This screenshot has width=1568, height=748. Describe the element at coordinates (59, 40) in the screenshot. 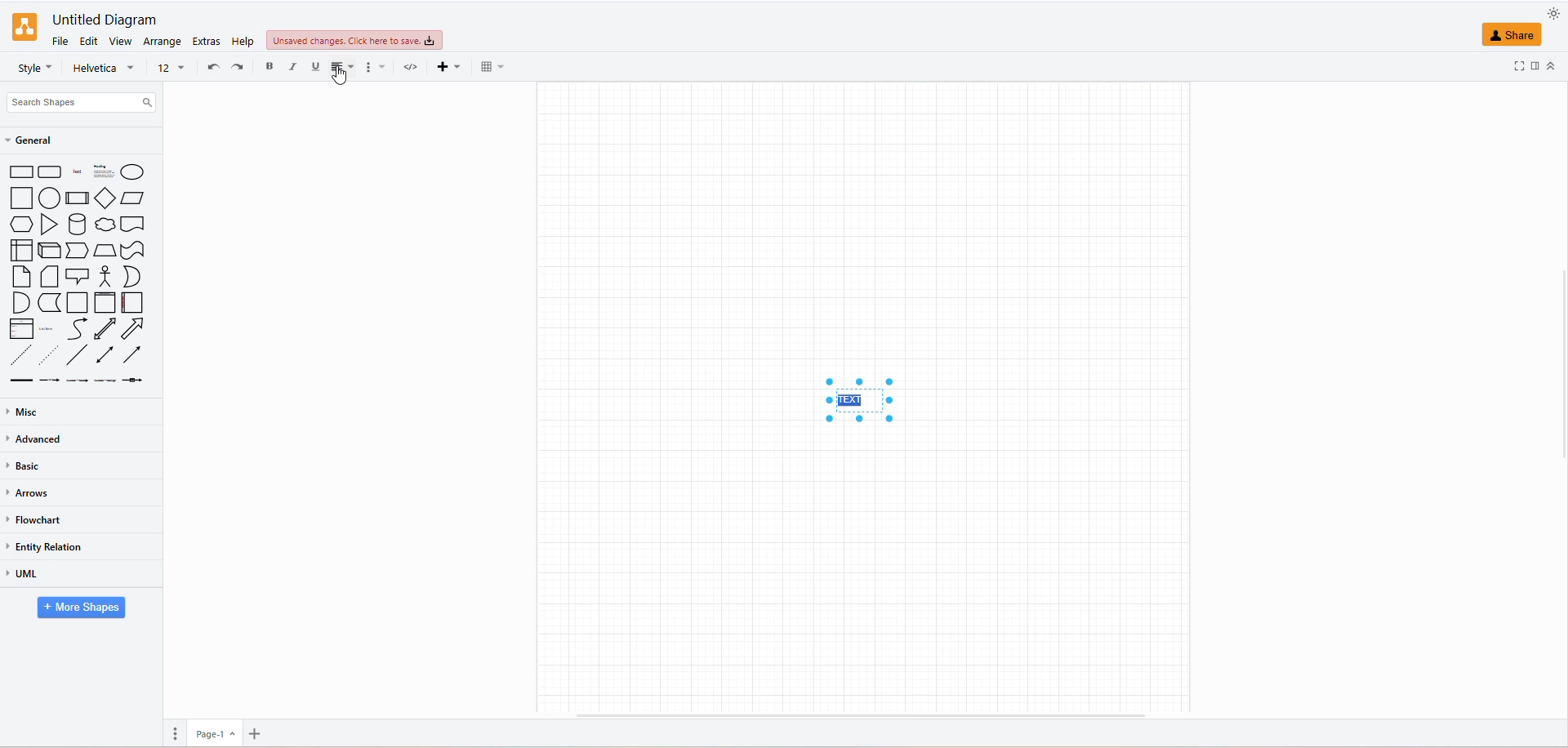

I see `file` at that location.